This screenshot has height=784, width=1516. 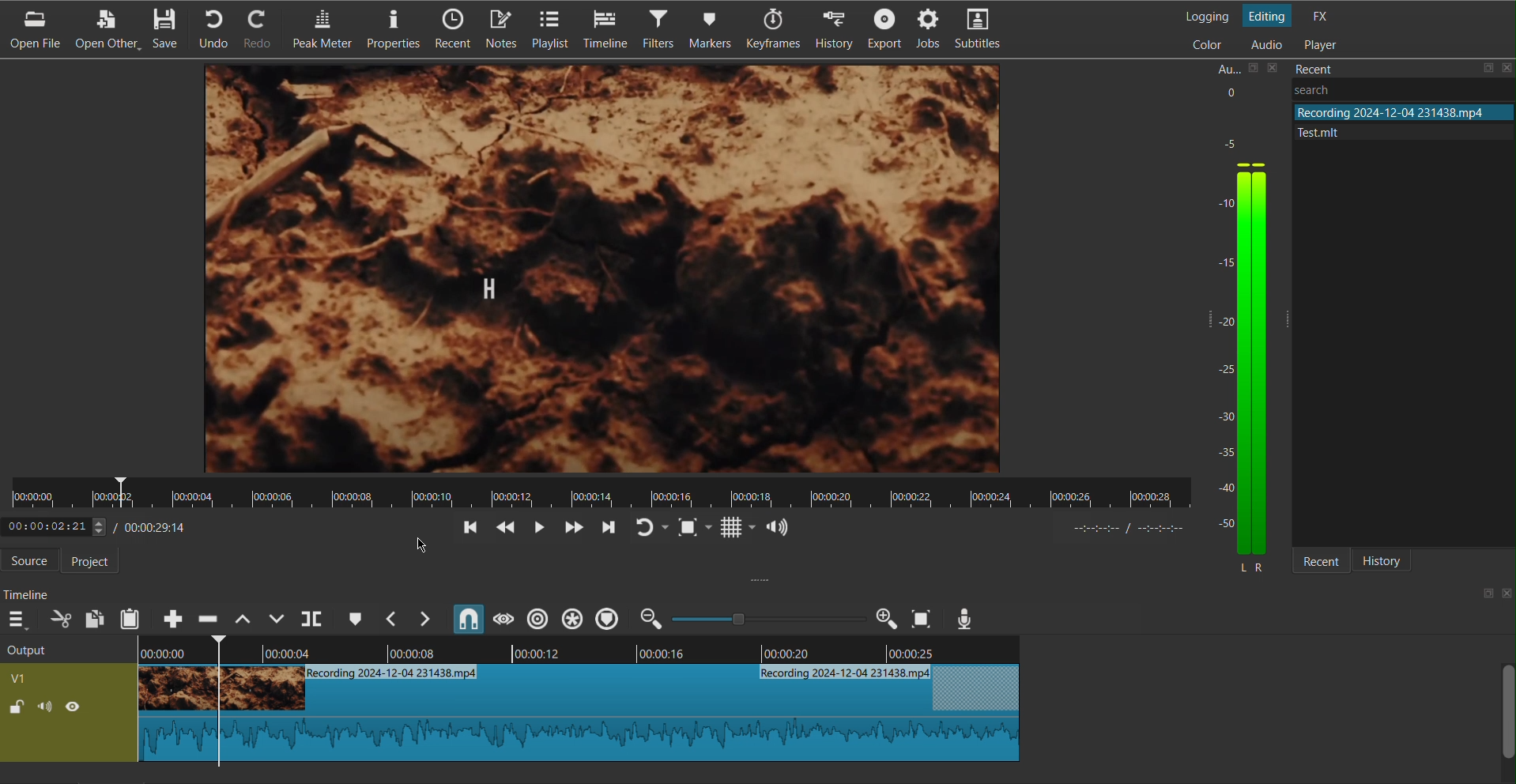 I want to click on Grid Display, so click(x=738, y=529).